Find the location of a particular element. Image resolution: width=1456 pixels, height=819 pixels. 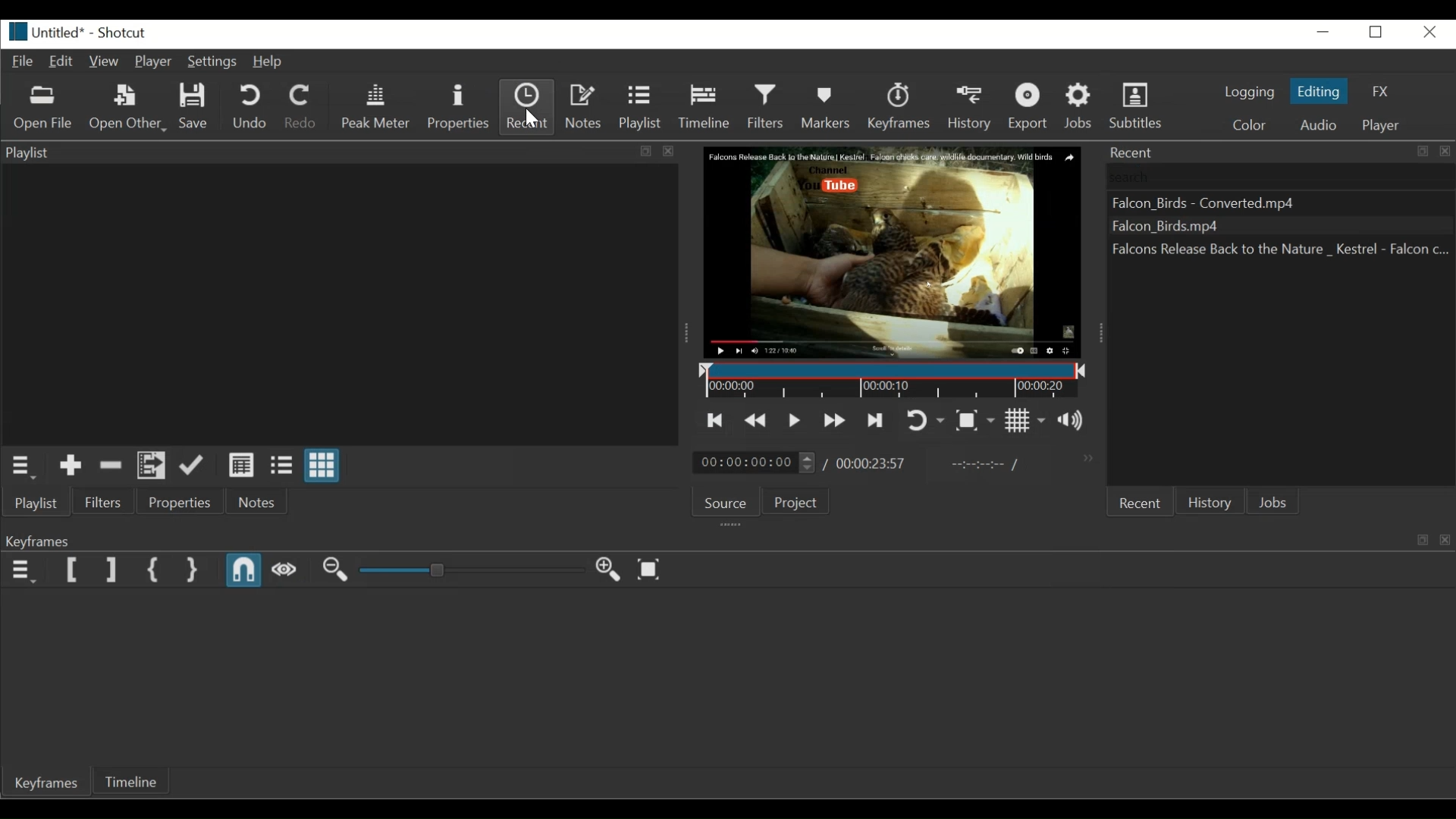

Cursor is located at coordinates (530, 119).